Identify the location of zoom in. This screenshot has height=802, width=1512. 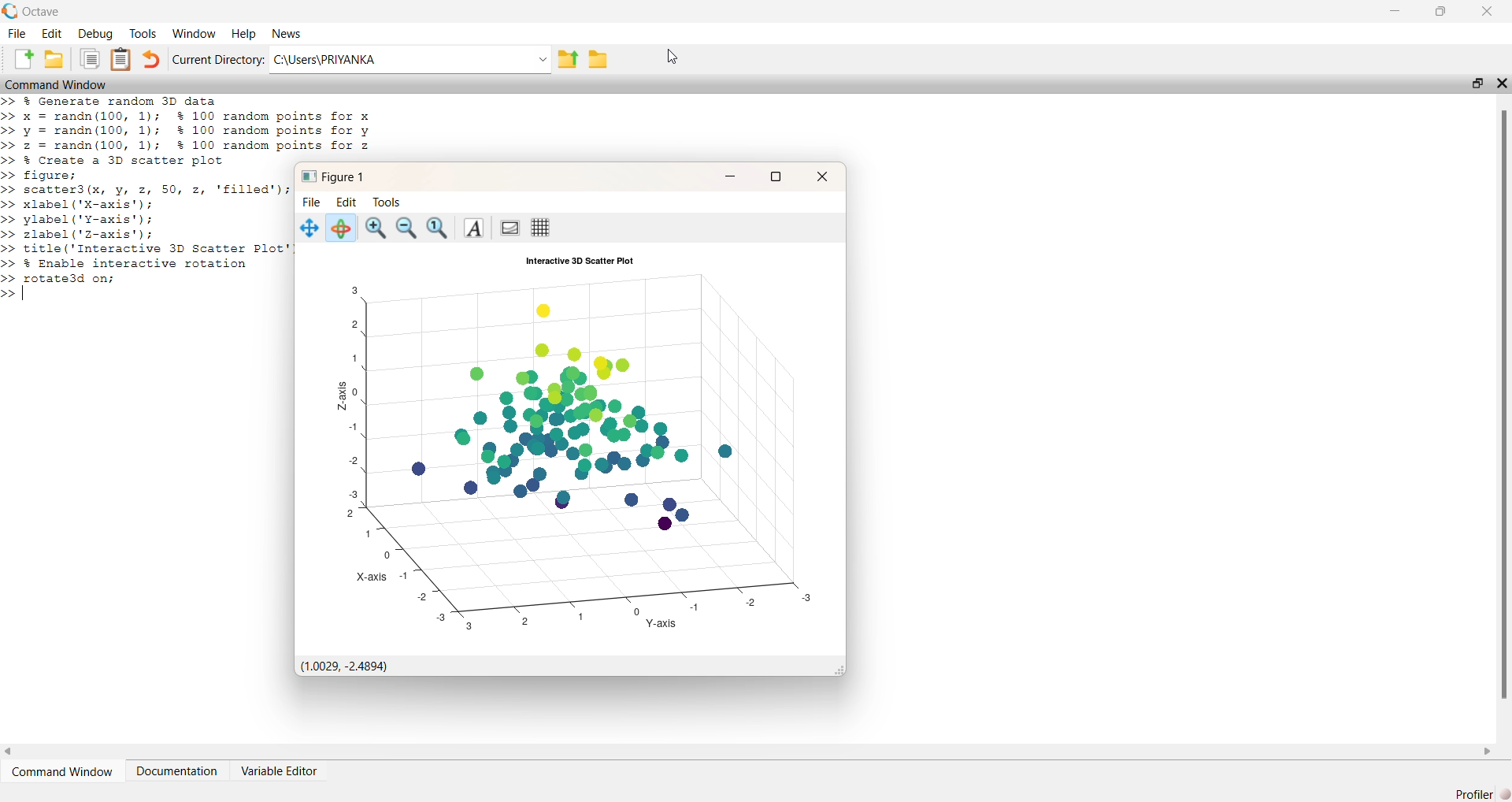
(376, 229).